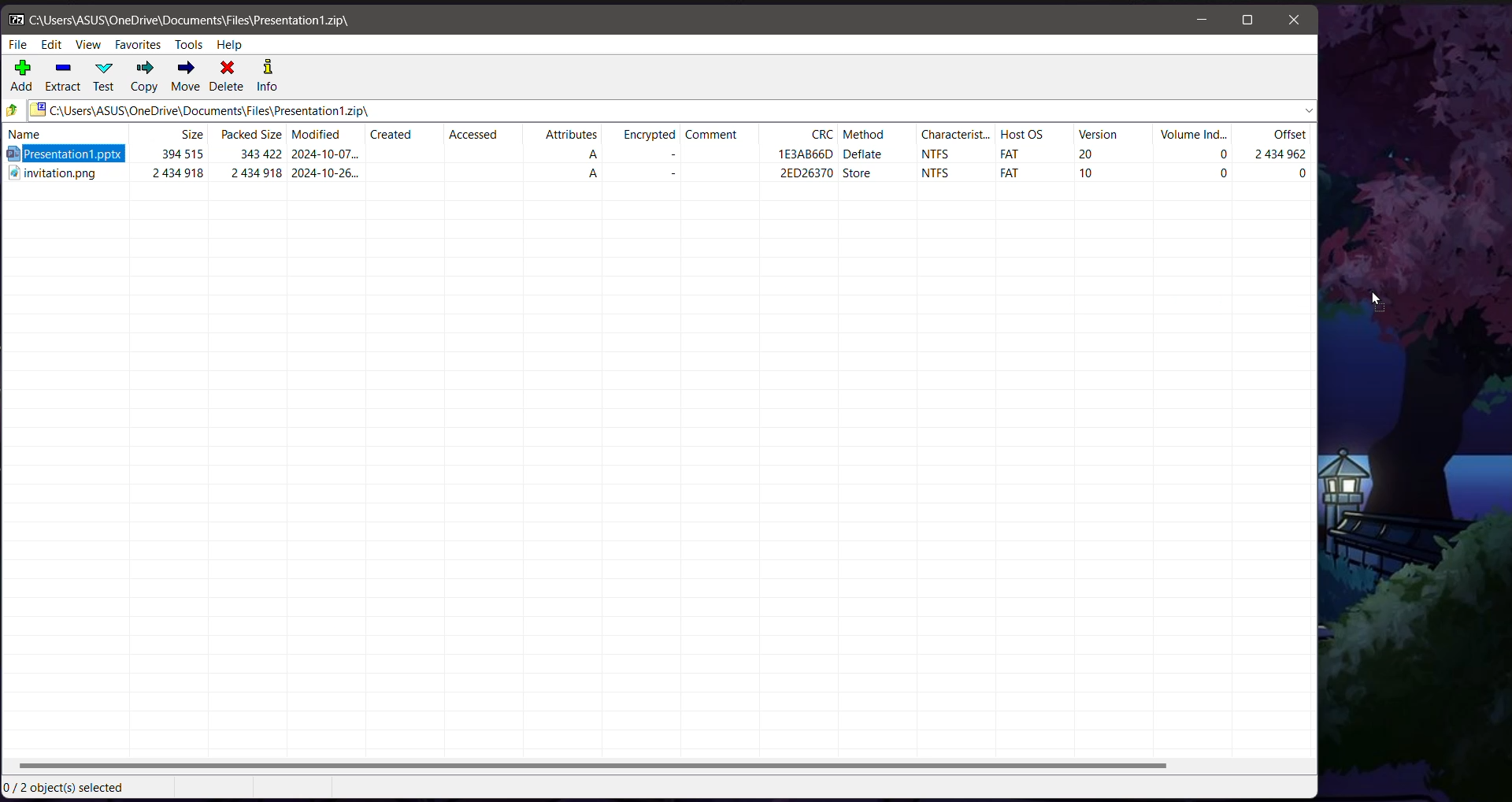  Describe the element at coordinates (571, 137) in the screenshot. I see `Attributes` at that location.